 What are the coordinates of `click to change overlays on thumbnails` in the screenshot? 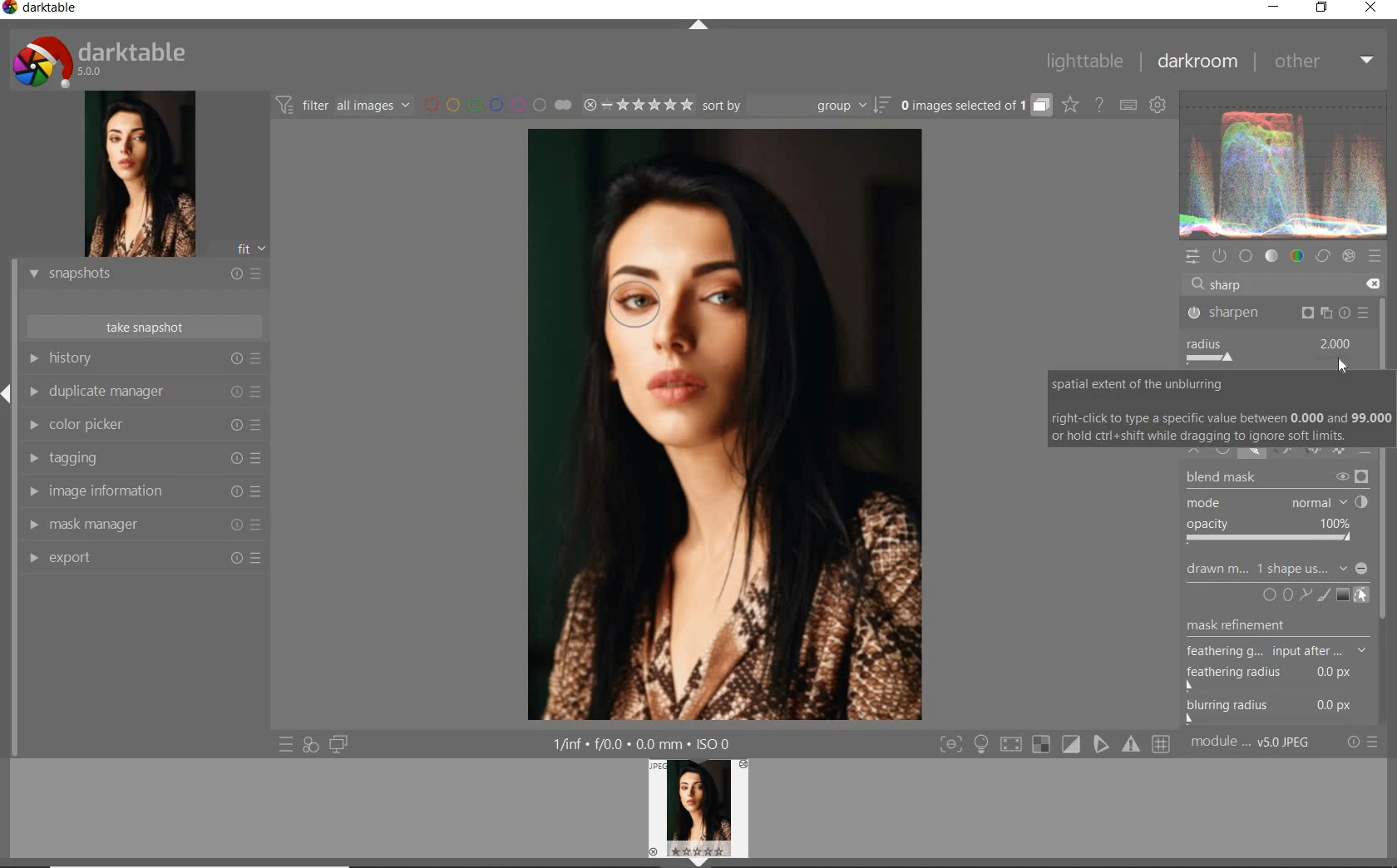 It's located at (1071, 106).